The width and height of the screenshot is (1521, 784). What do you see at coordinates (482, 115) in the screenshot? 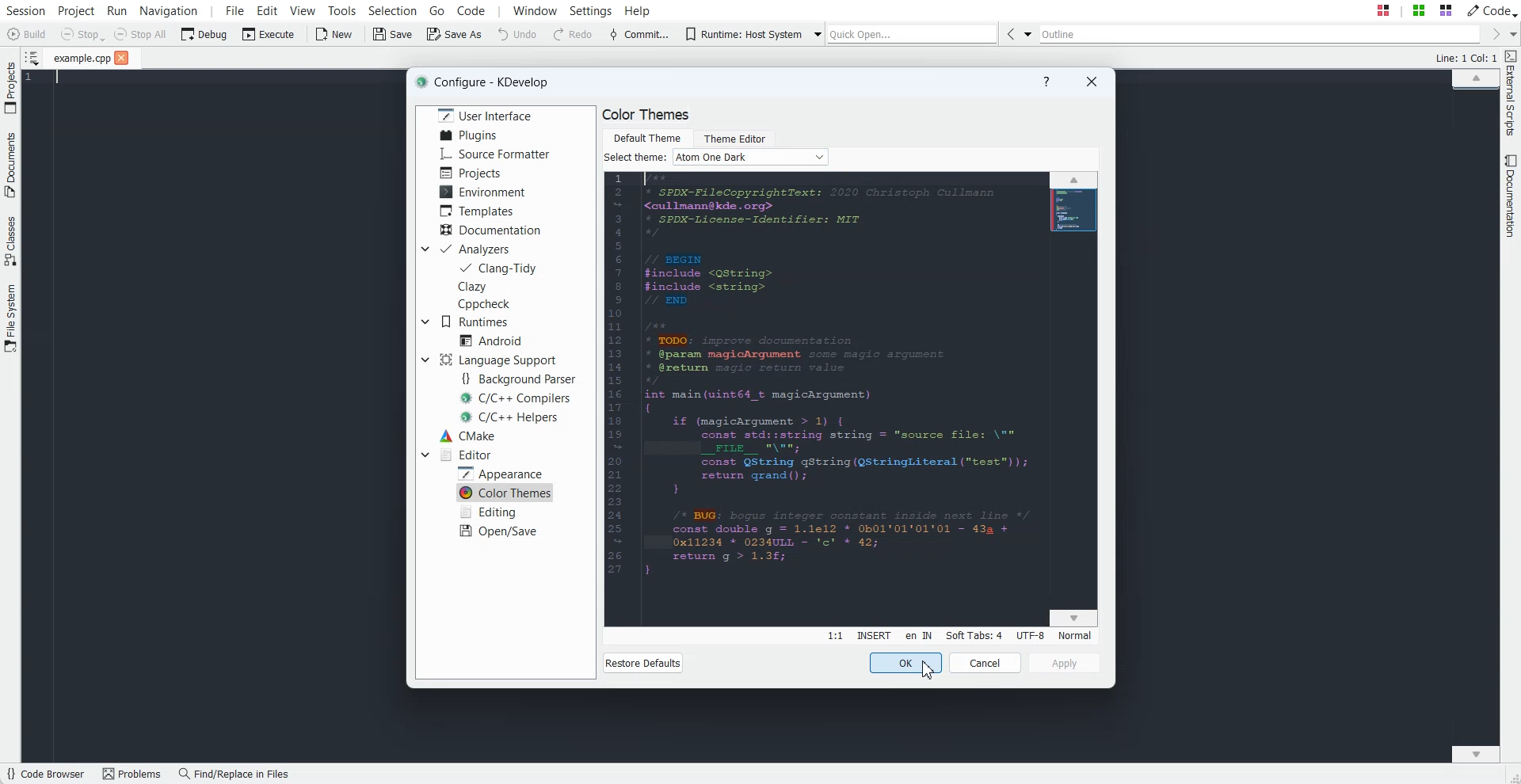
I see `User Interface` at bounding box center [482, 115].